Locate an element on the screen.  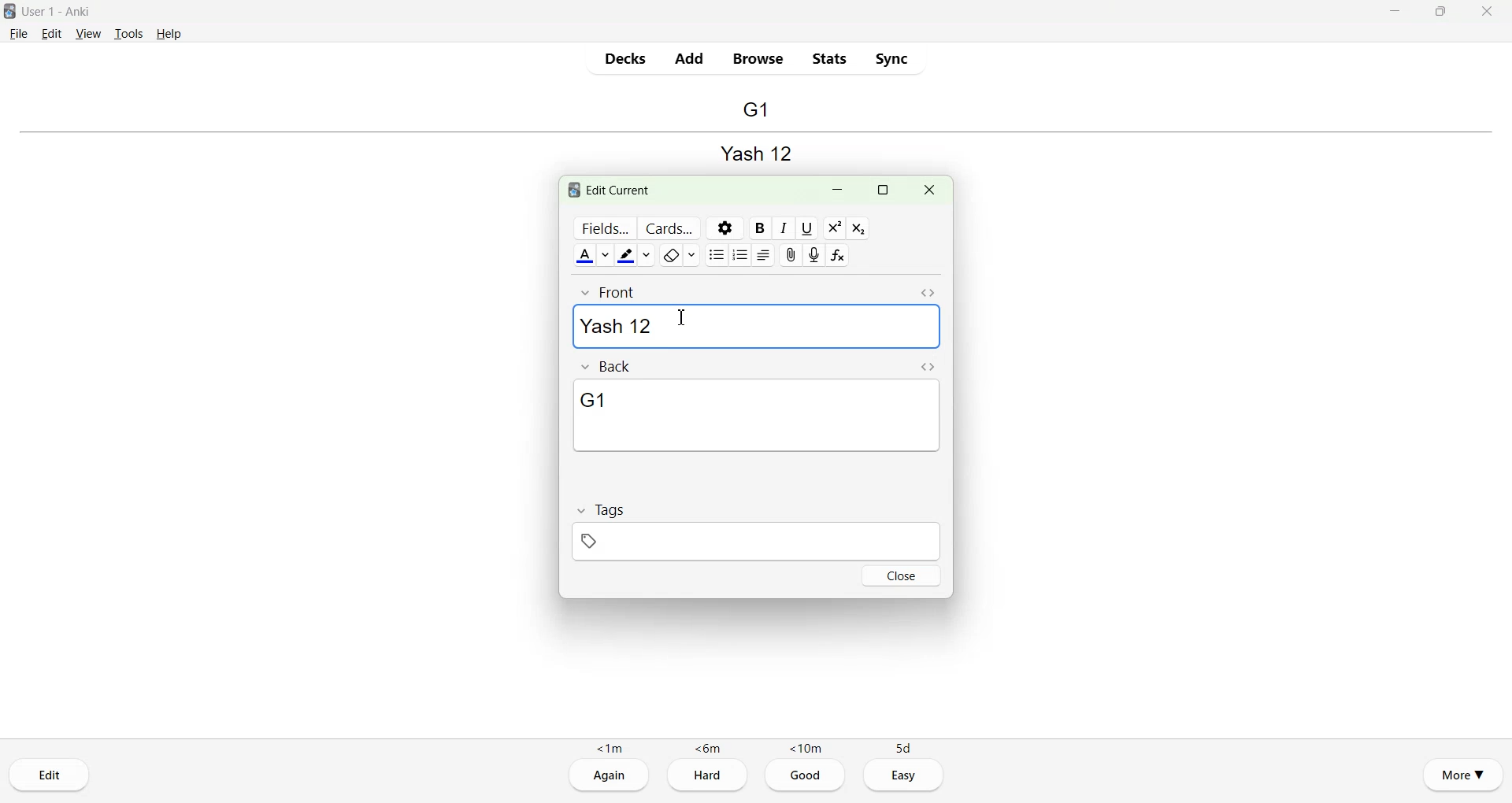
Toggle HTML Editor is located at coordinates (928, 367).